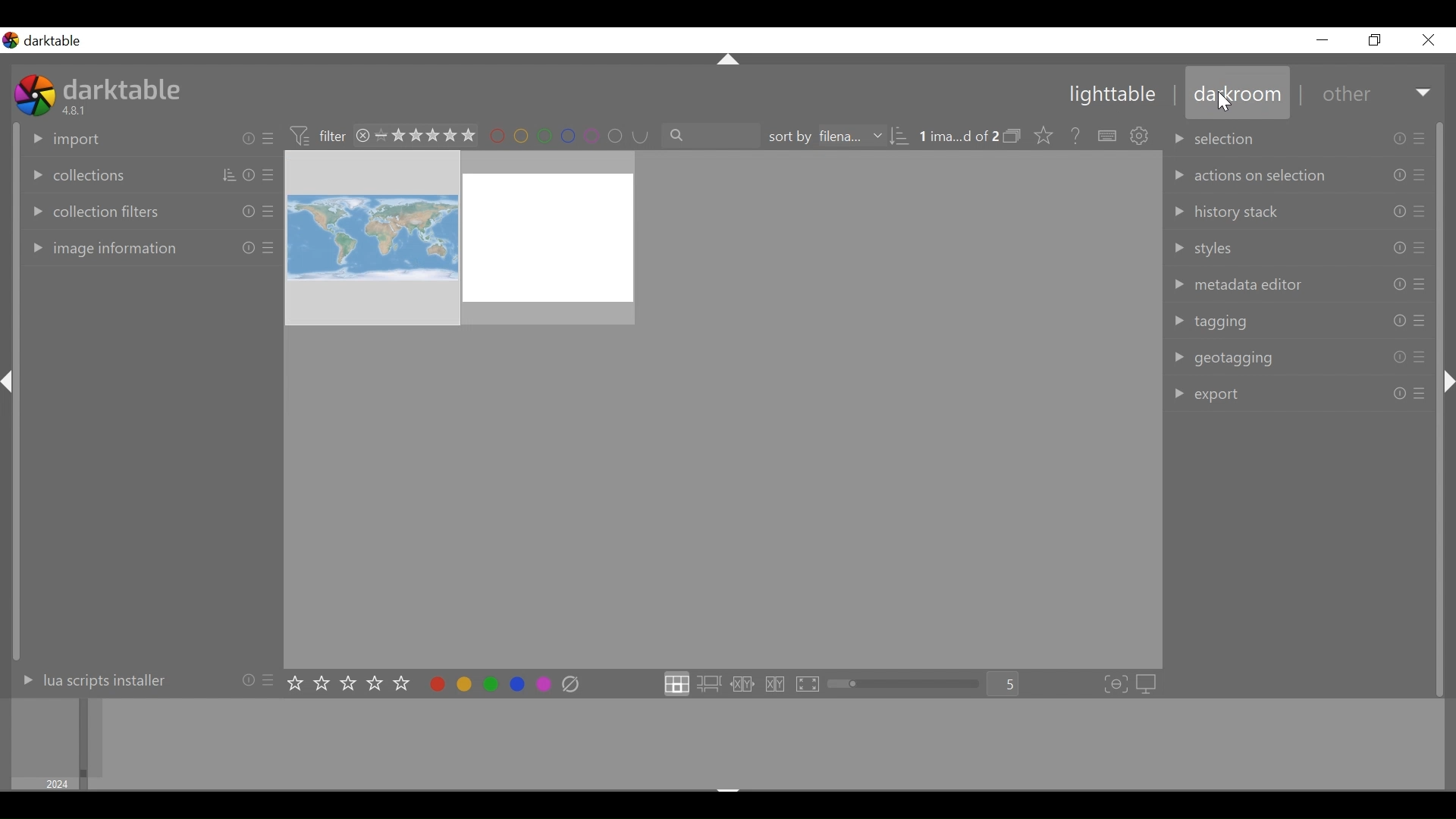 The height and width of the screenshot is (819, 1456). I want to click on darkroom, so click(1235, 91).